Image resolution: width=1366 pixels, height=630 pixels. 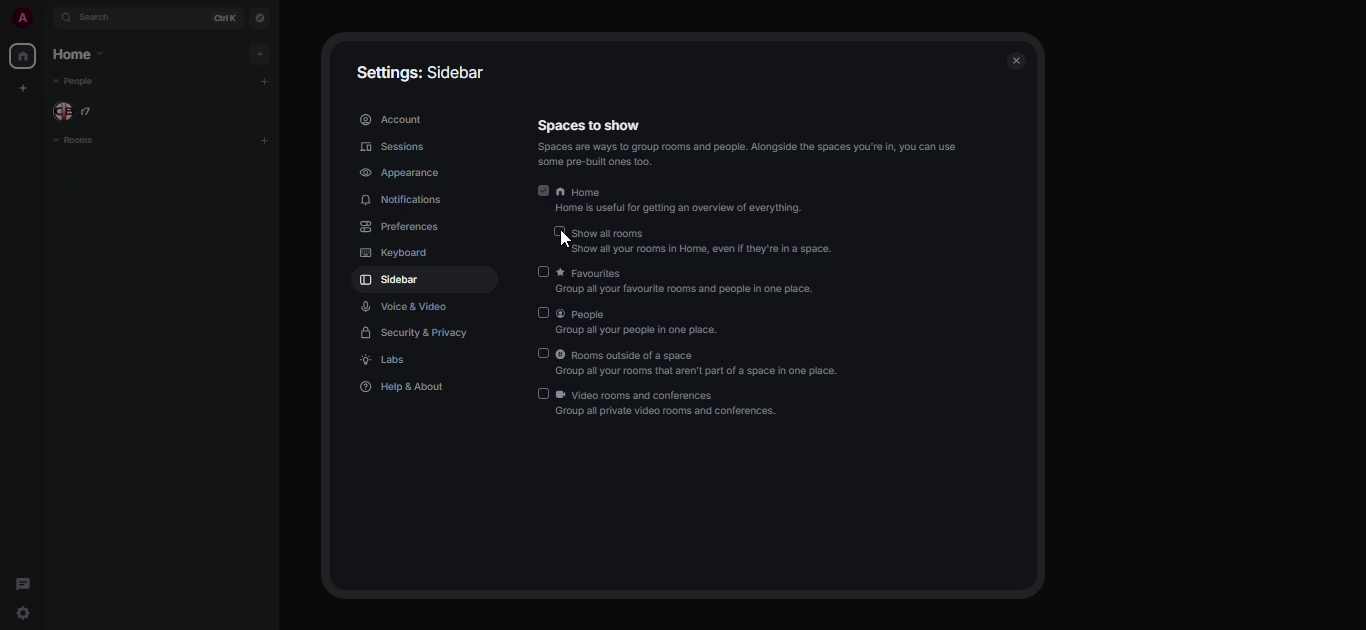 What do you see at coordinates (266, 140) in the screenshot?
I see `add` at bounding box center [266, 140].